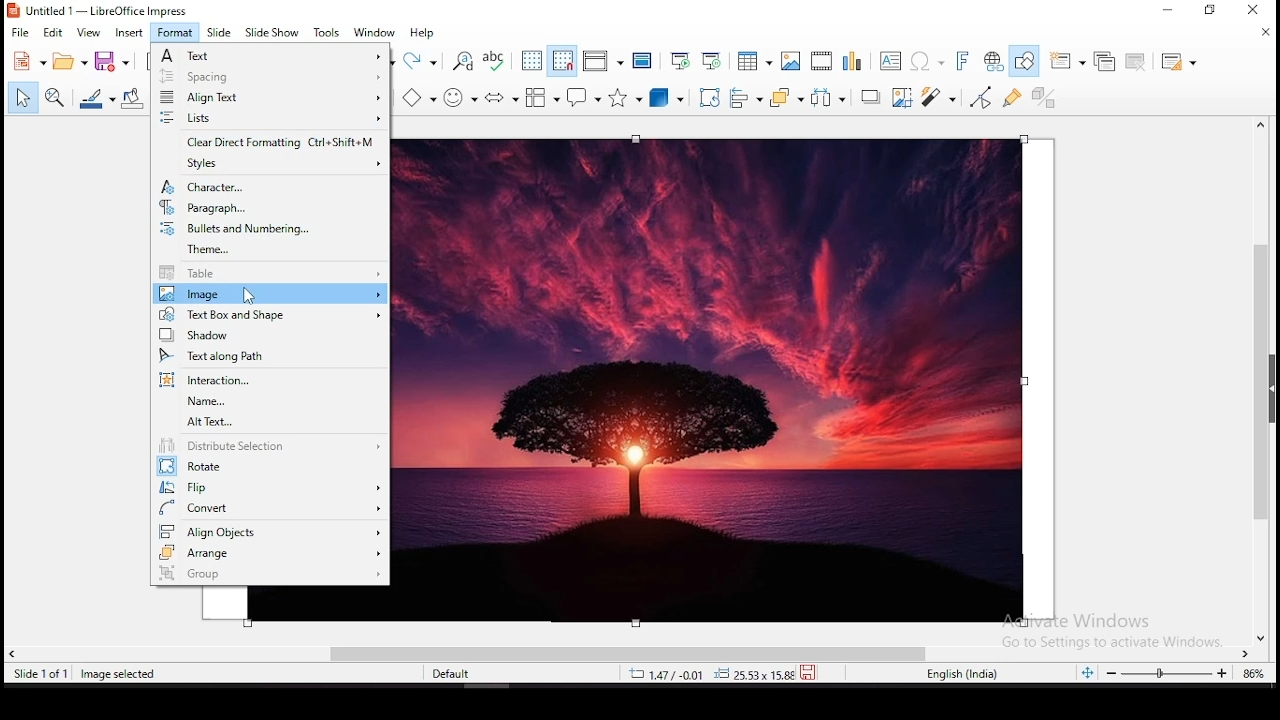 This screenshot has width=1280, height=720. I want to click on zoom slider, so click(1167, 674).